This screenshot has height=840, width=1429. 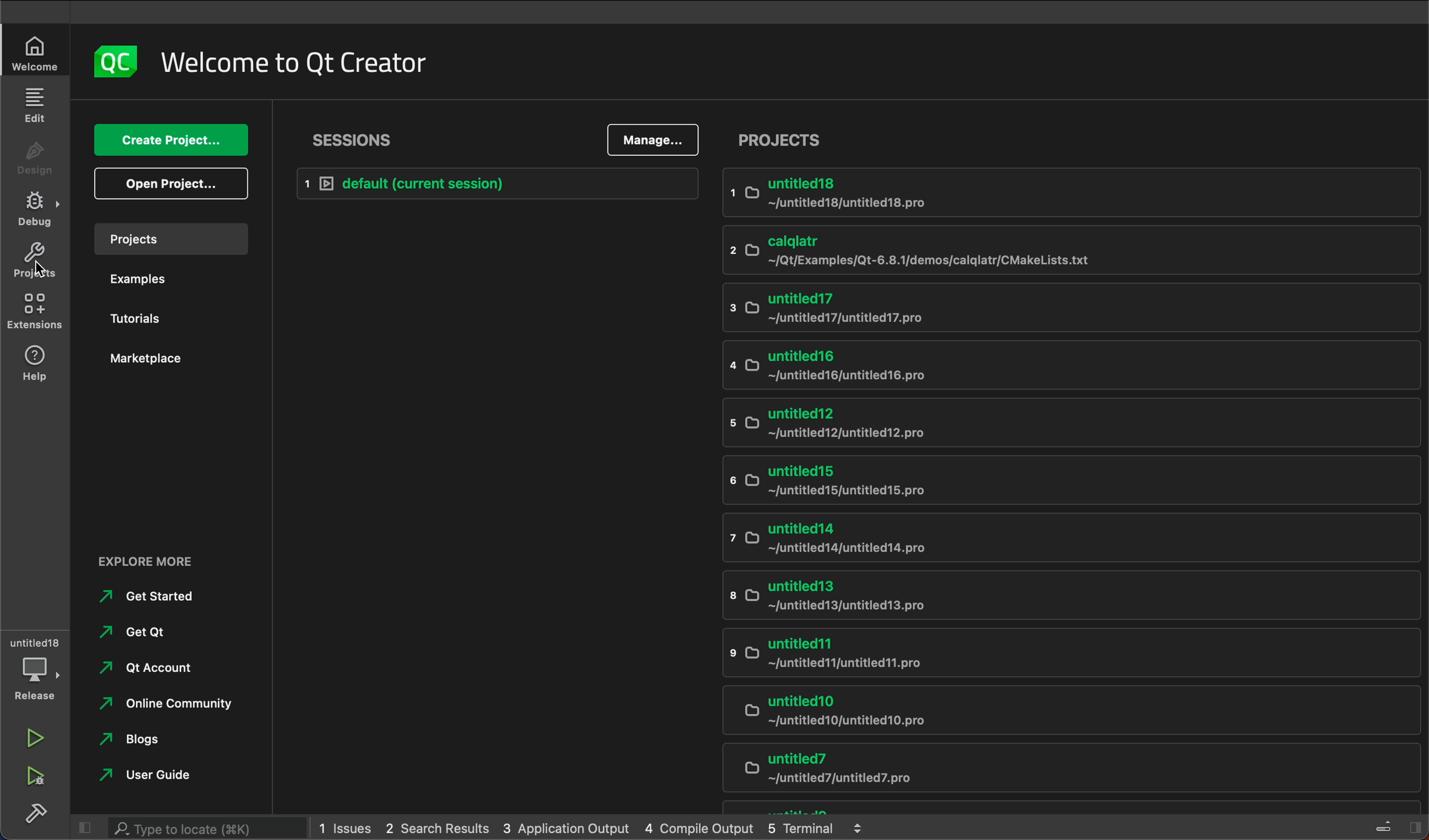 I want to click on CURSOR, so click(x=32, y=266).